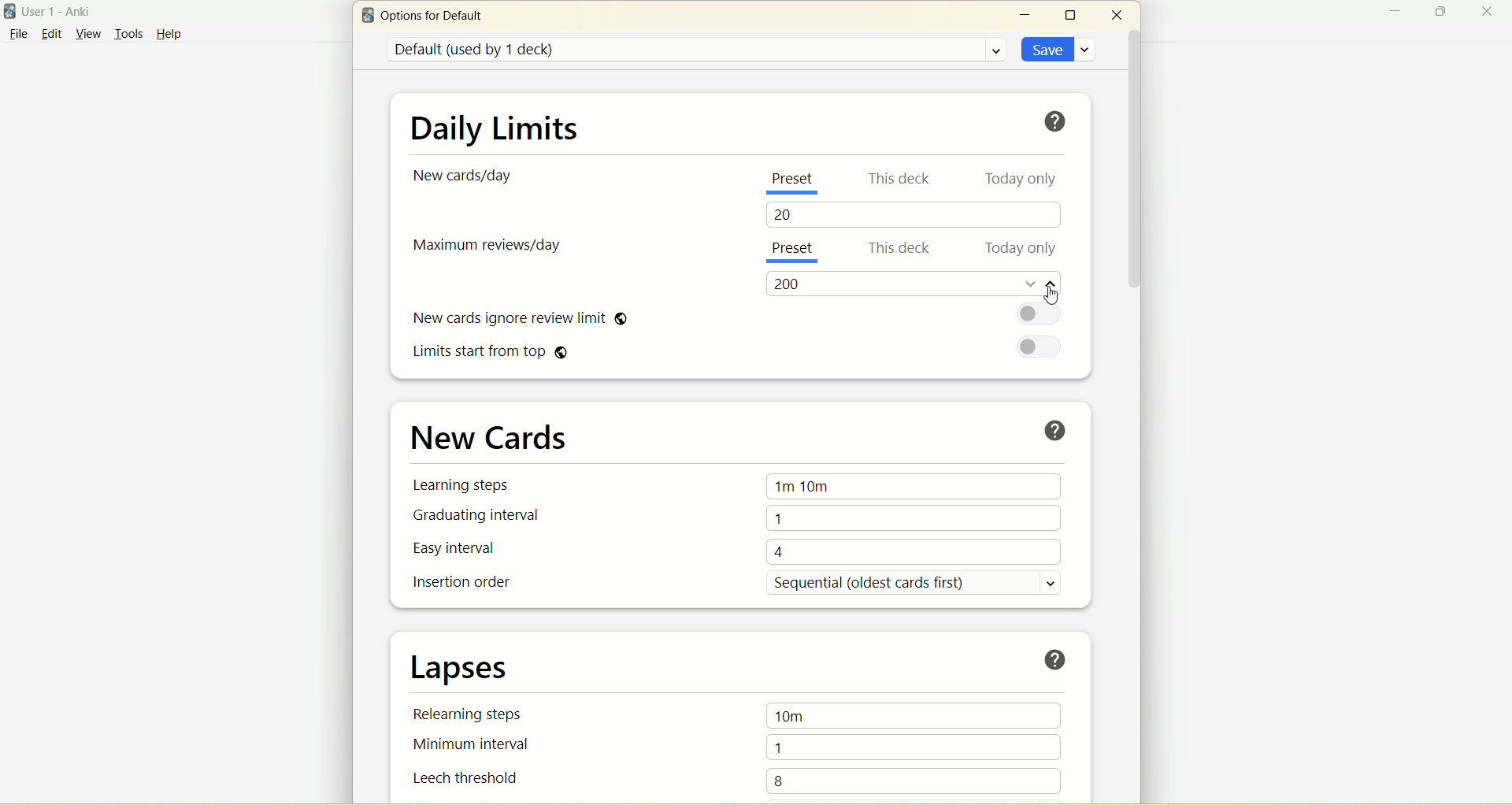 Image resolution: width=1512 pixels, height=805 pixels. I want to click on this deck, so click(902, 251).